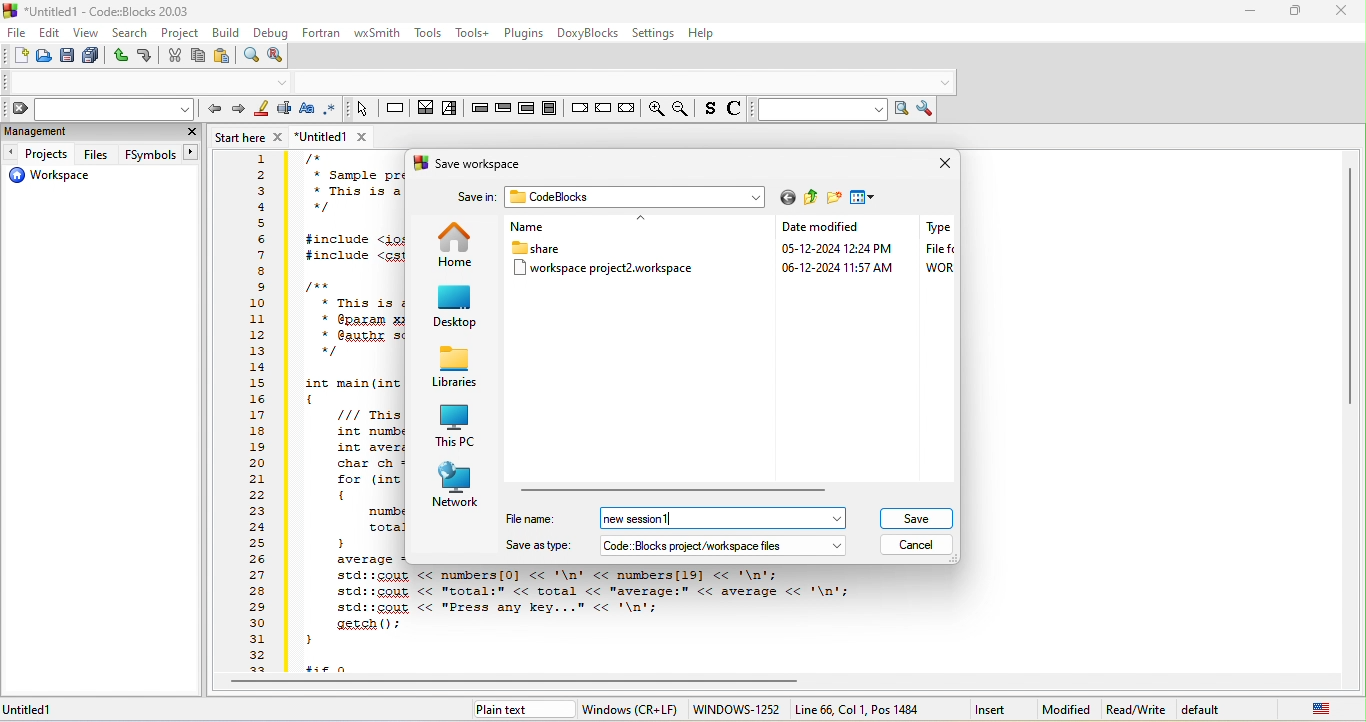  Describe the element at coordinates (428, 33) in the screenshot. I see `tools` at that location.